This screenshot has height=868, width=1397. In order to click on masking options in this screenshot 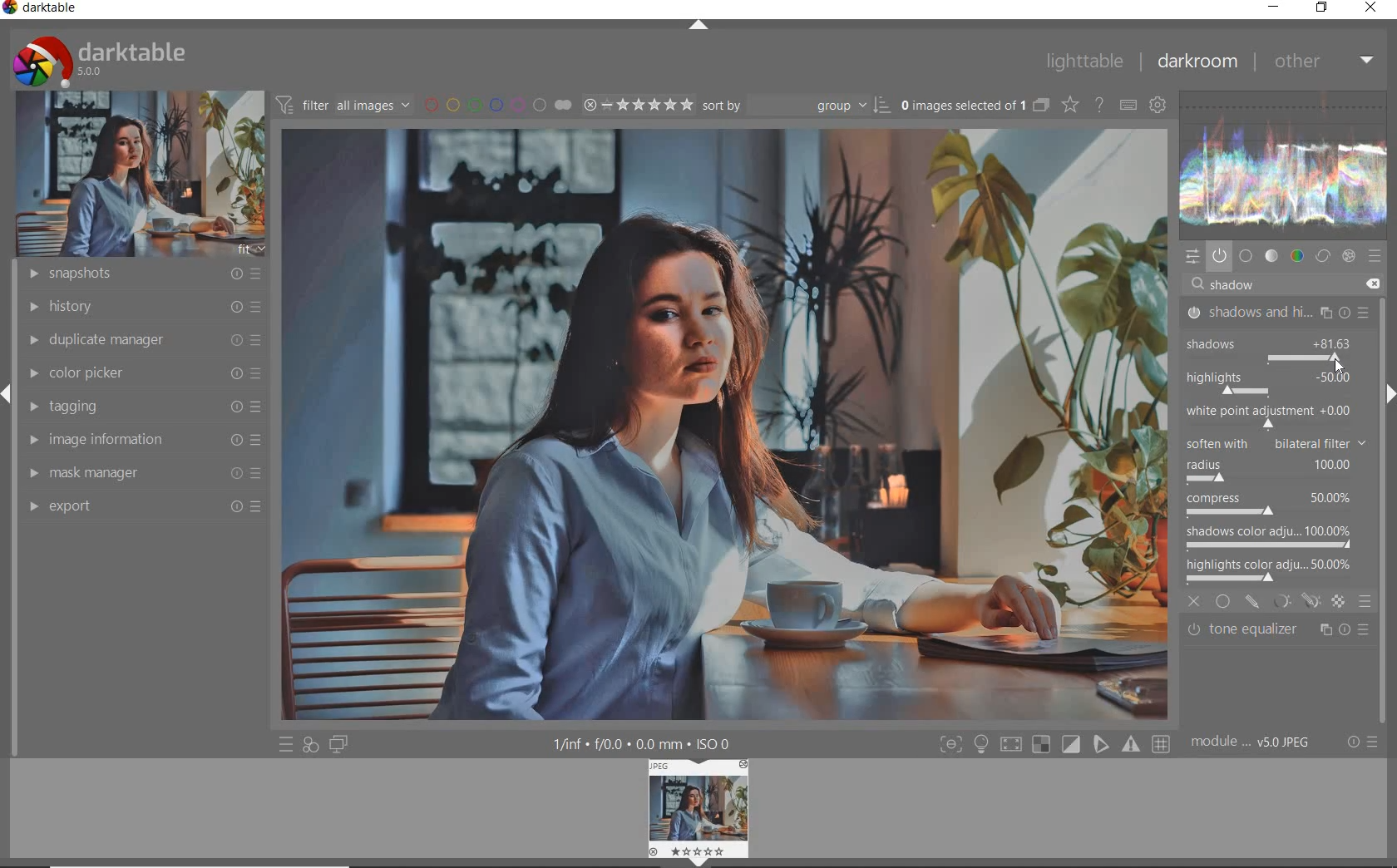, I will do `click(1296, 601)`.